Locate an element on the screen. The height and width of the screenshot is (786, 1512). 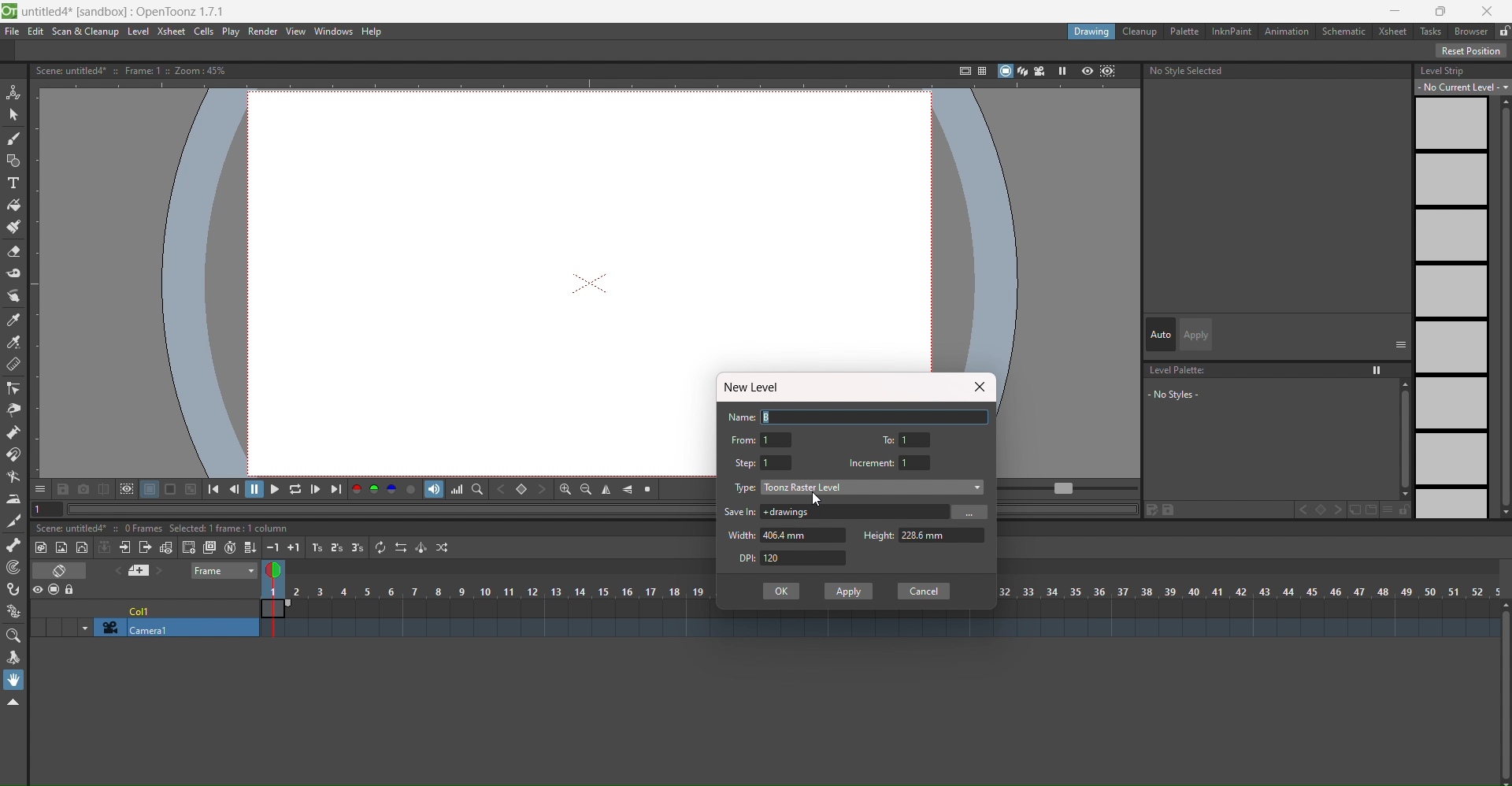
406.4mm is located at coordinates (806, 536).